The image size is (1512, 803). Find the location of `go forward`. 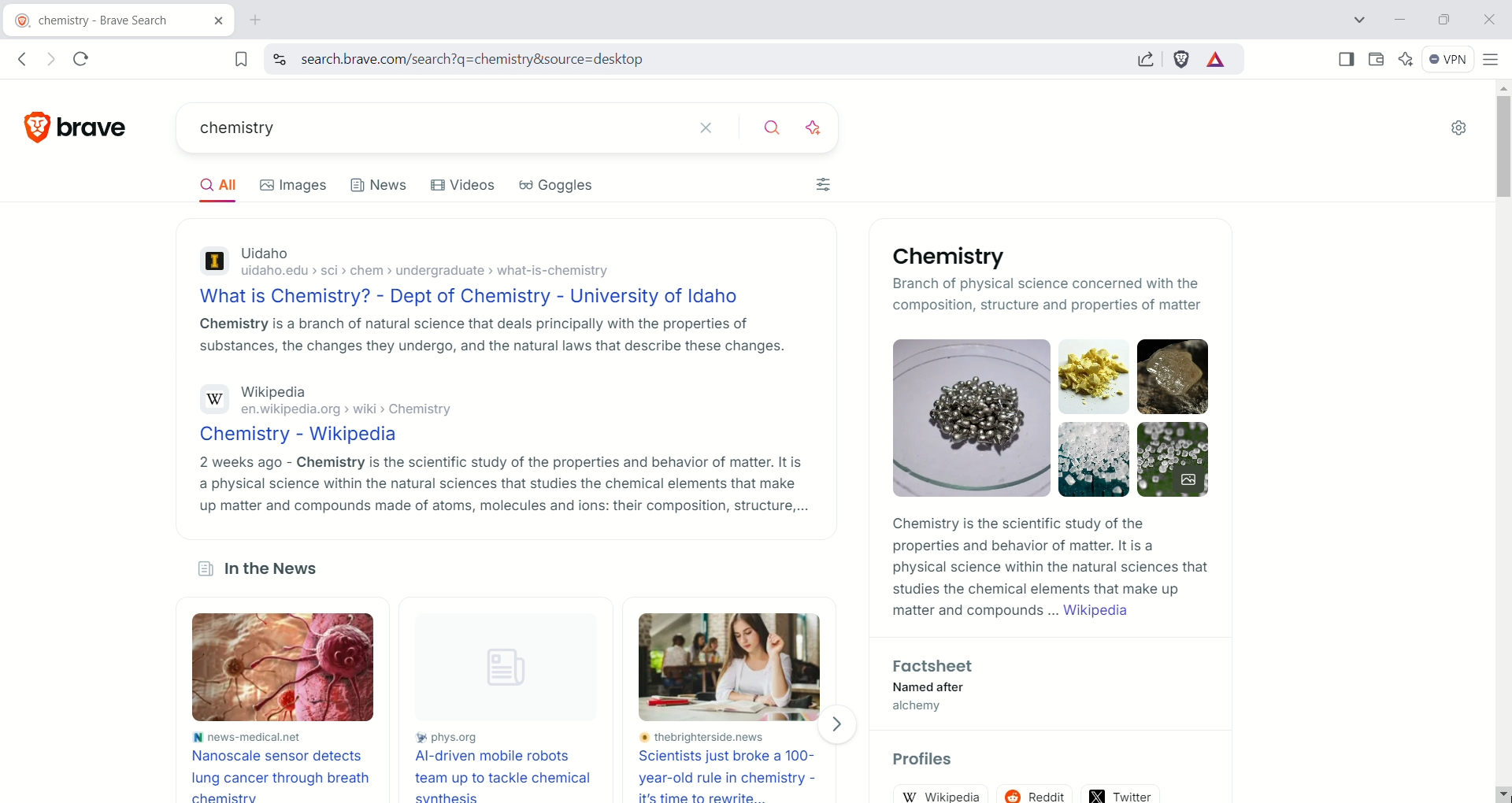

go forward is located at coordinates (48, 60).